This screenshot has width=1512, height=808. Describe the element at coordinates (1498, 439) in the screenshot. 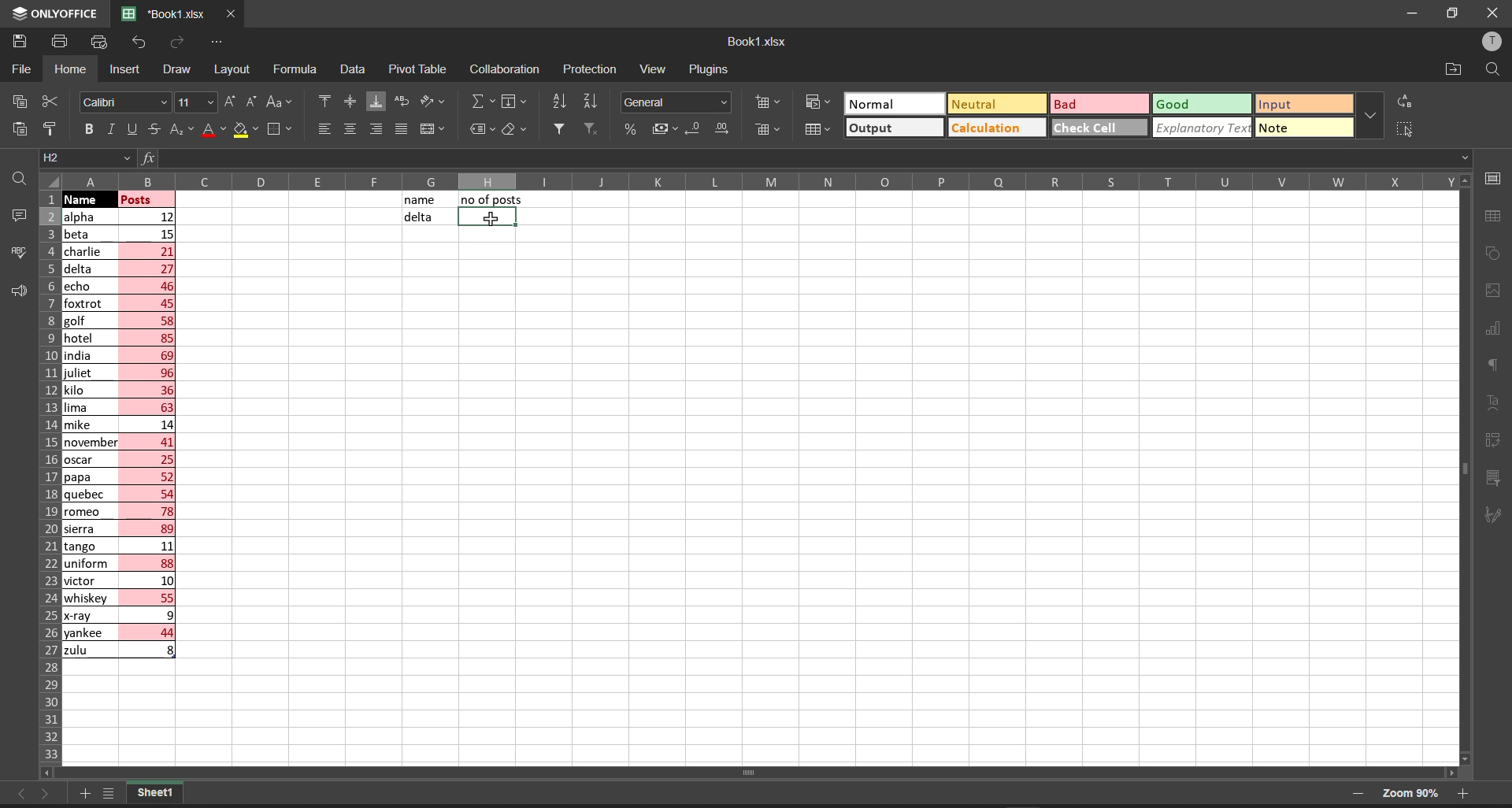

I see `pivot table settings` at that location.